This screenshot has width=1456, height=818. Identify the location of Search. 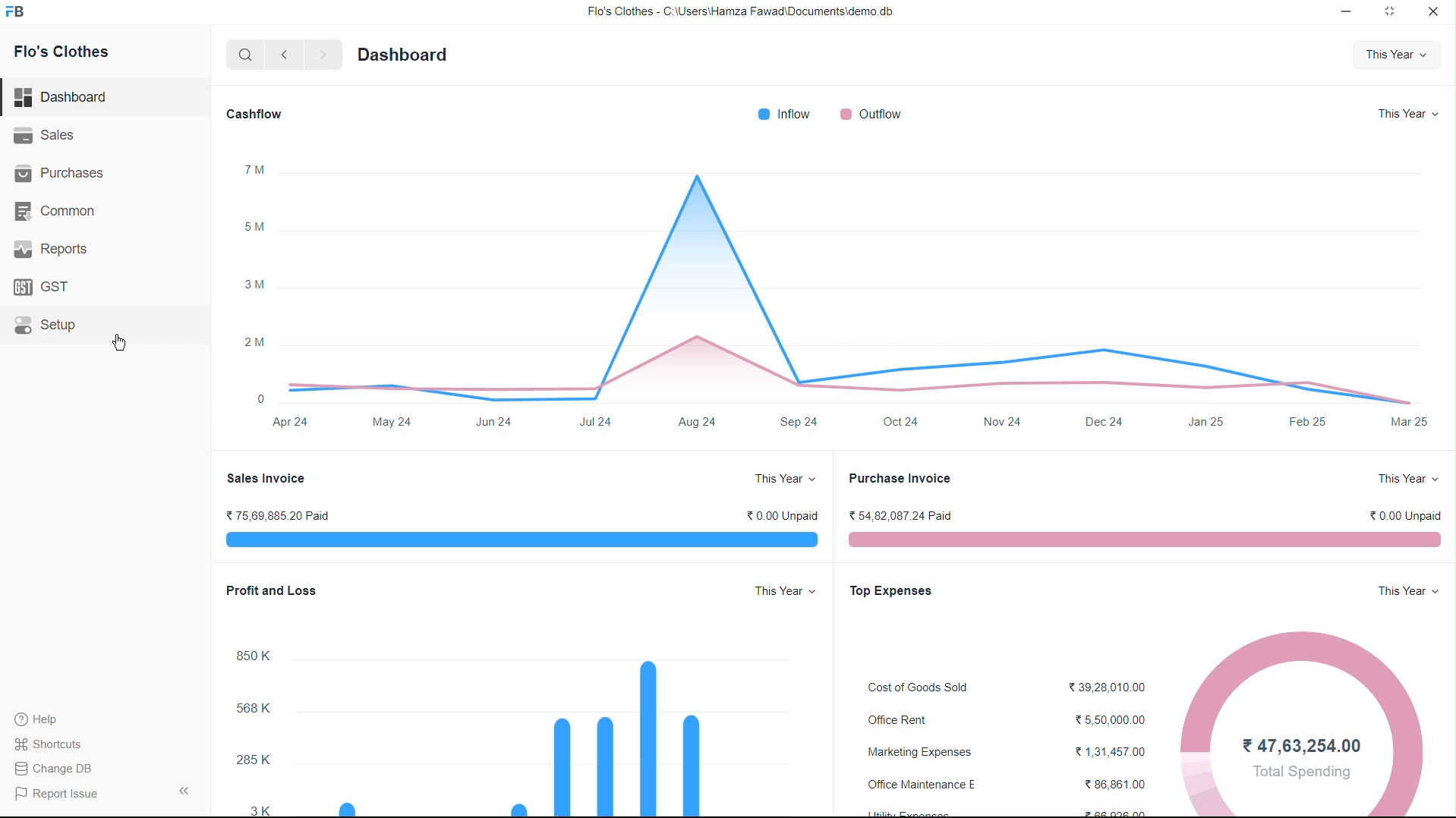
(240, 55).